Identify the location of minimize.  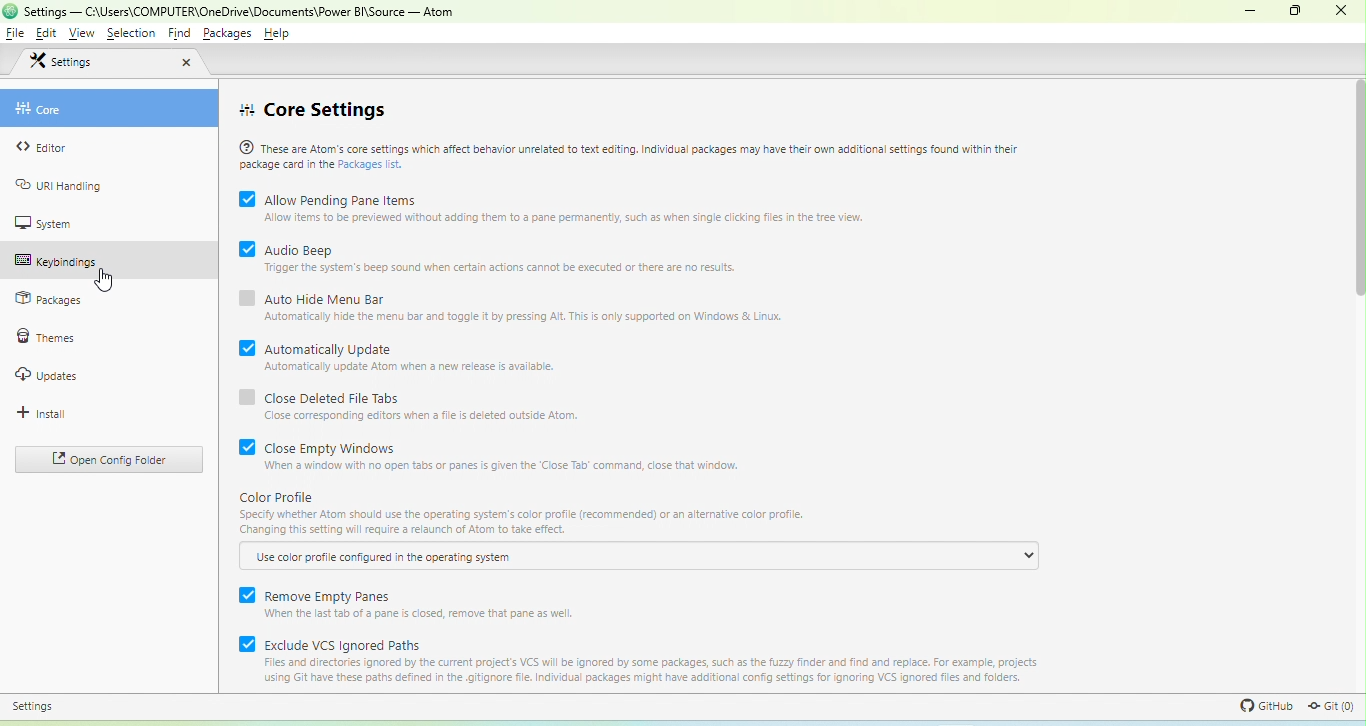
(1251, 11).